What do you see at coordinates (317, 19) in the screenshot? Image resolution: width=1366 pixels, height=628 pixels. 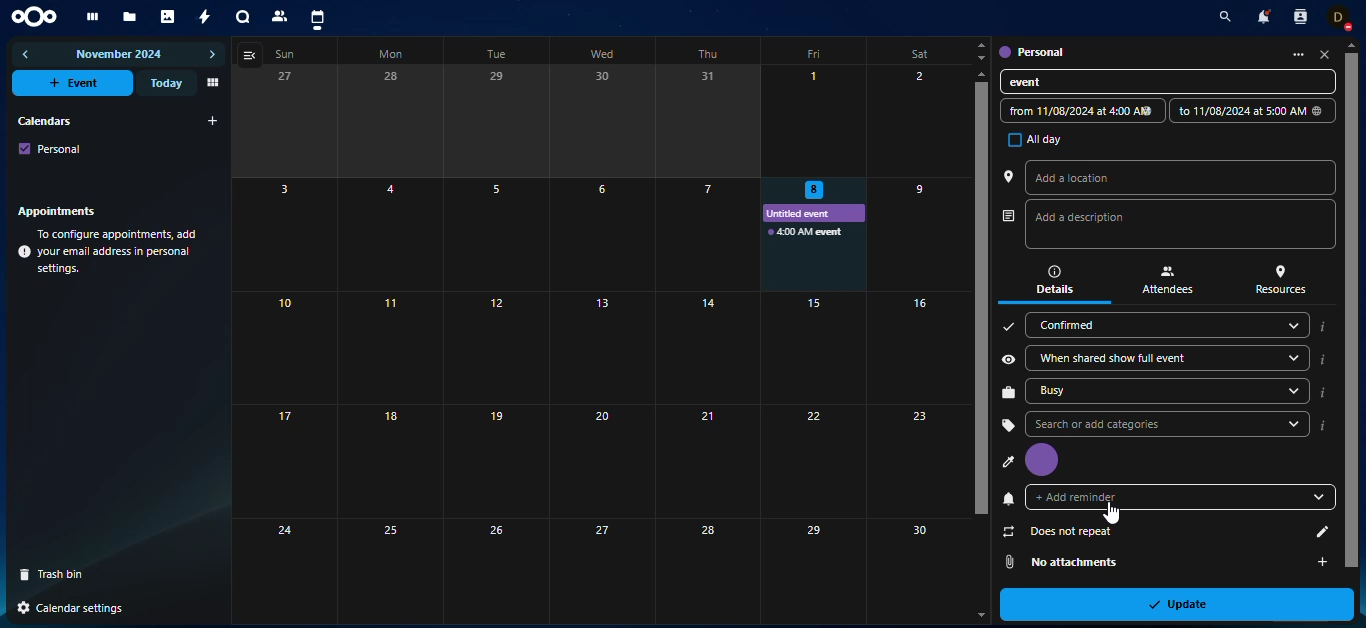 I see `calendar` at bounding box center [317, 19].